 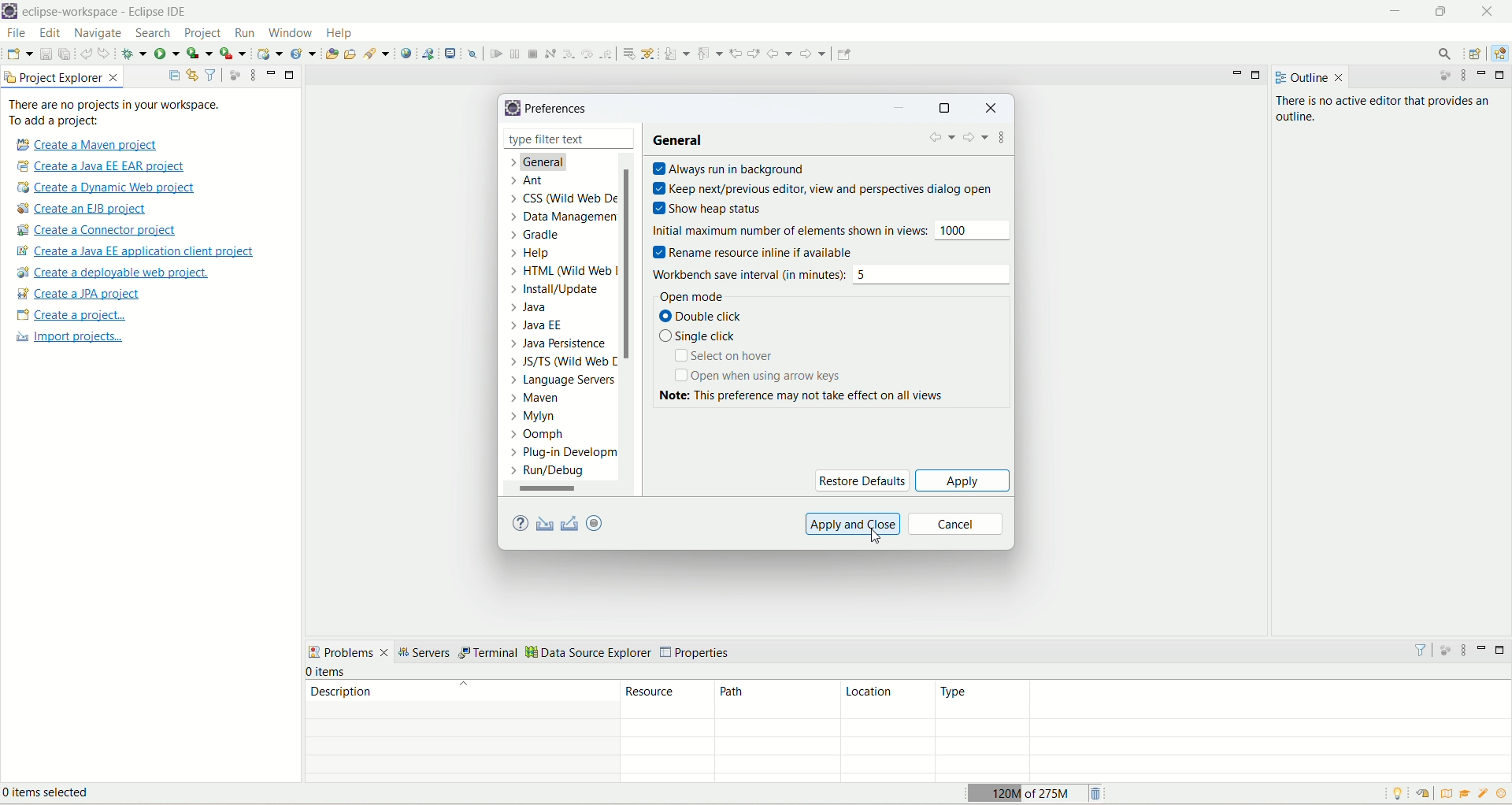 What do you see at coordinates (733, 169) in the screenshot?
I see `always run in background` at bounding box center [733, 169].